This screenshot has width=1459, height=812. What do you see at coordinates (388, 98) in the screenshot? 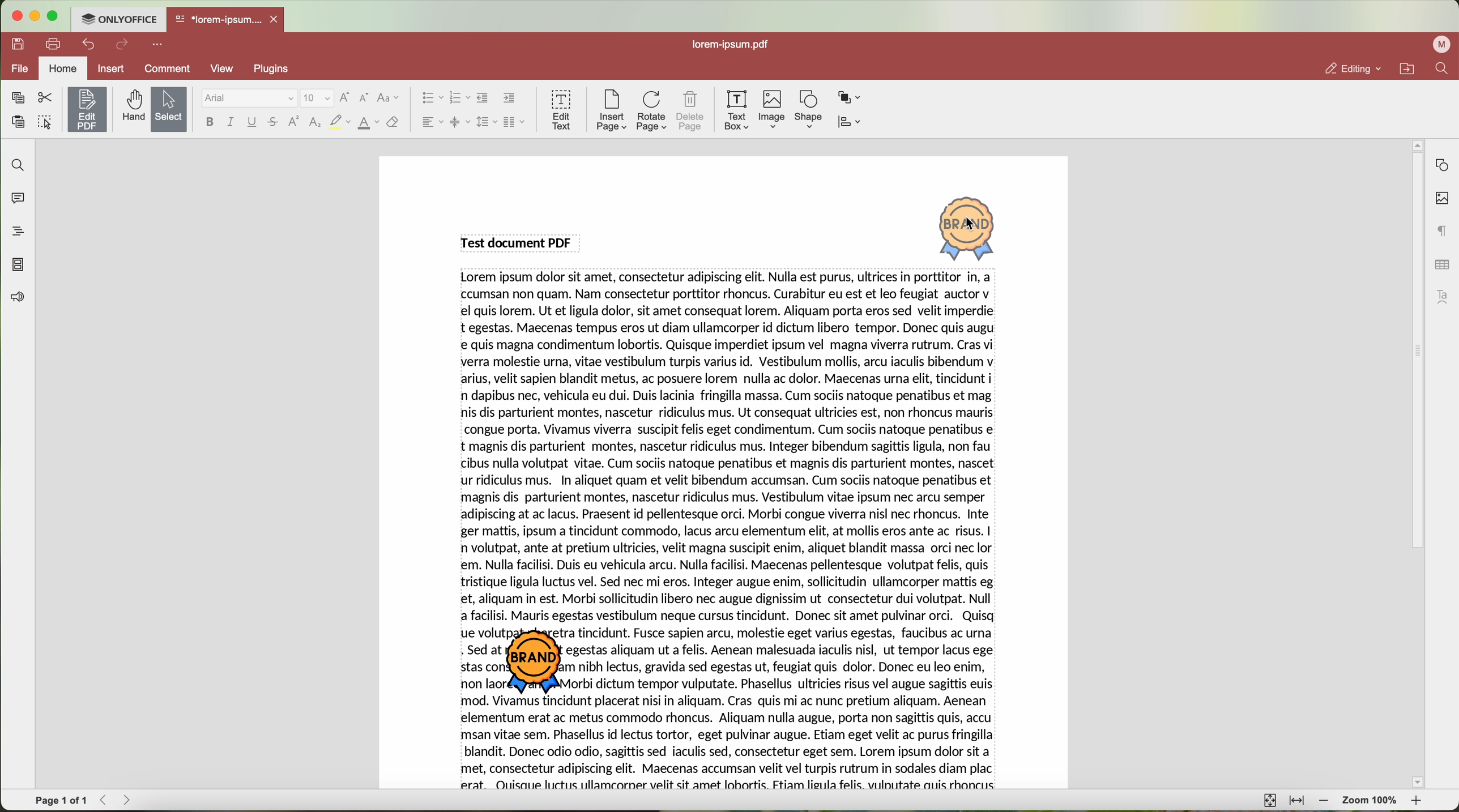
I see `change case` at bounding box center [388, 98].